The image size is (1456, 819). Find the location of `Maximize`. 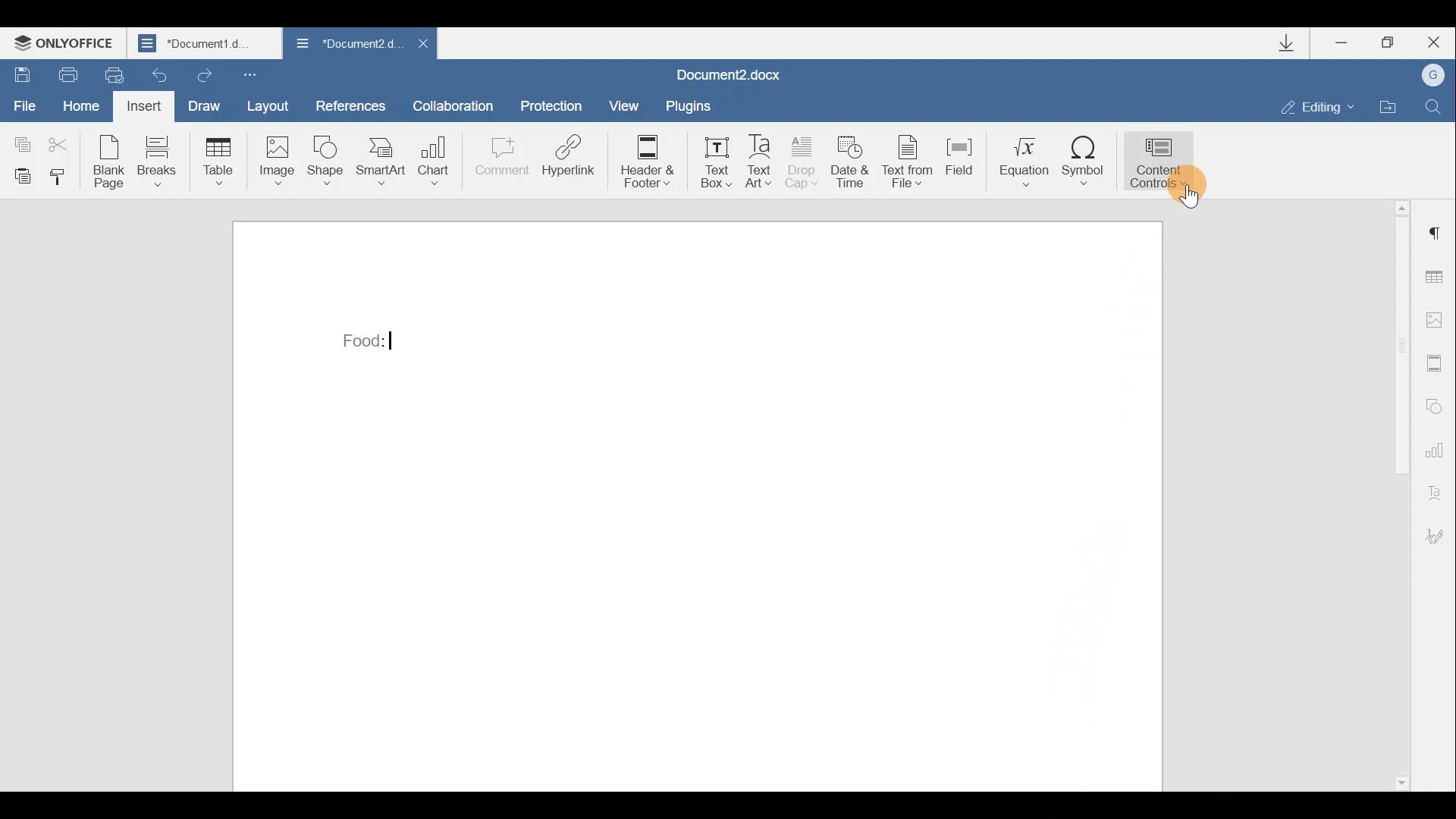

Maximize is located at coordinates (1389, 43).